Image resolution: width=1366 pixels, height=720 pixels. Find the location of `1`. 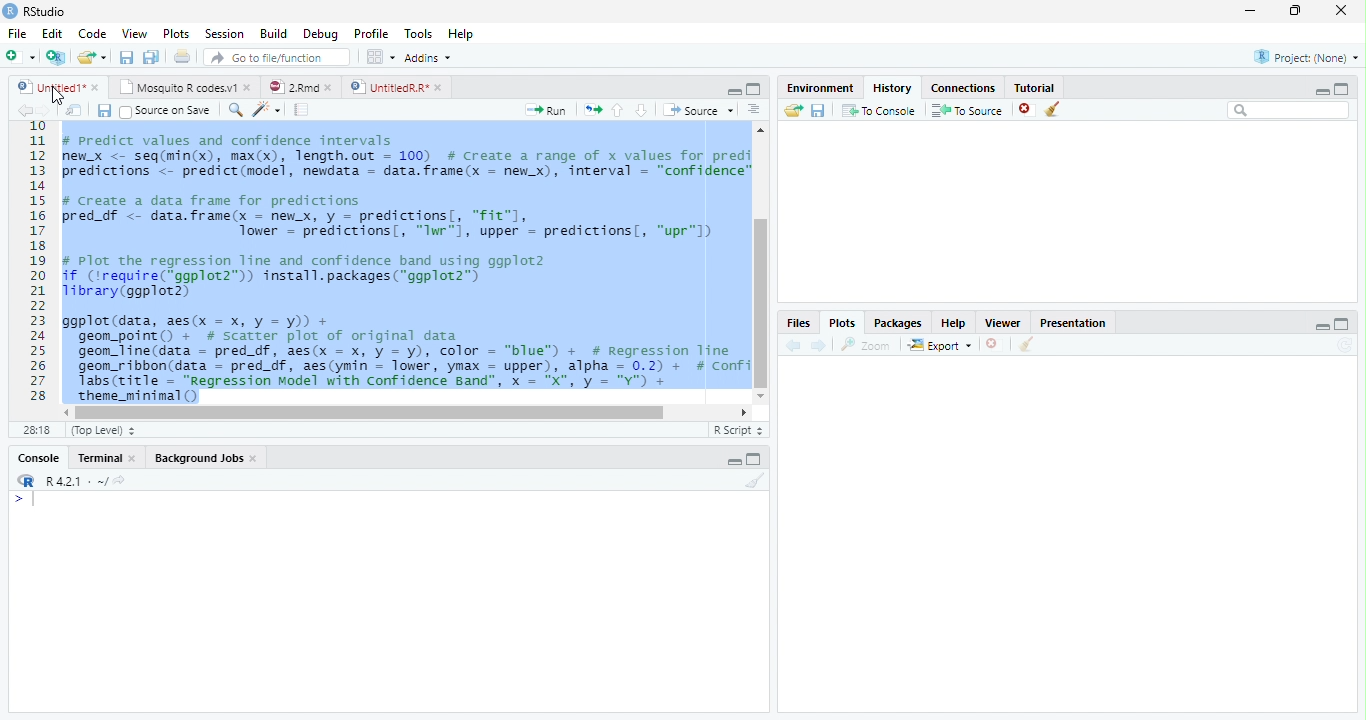

1 is located at coordinates (35, 128).